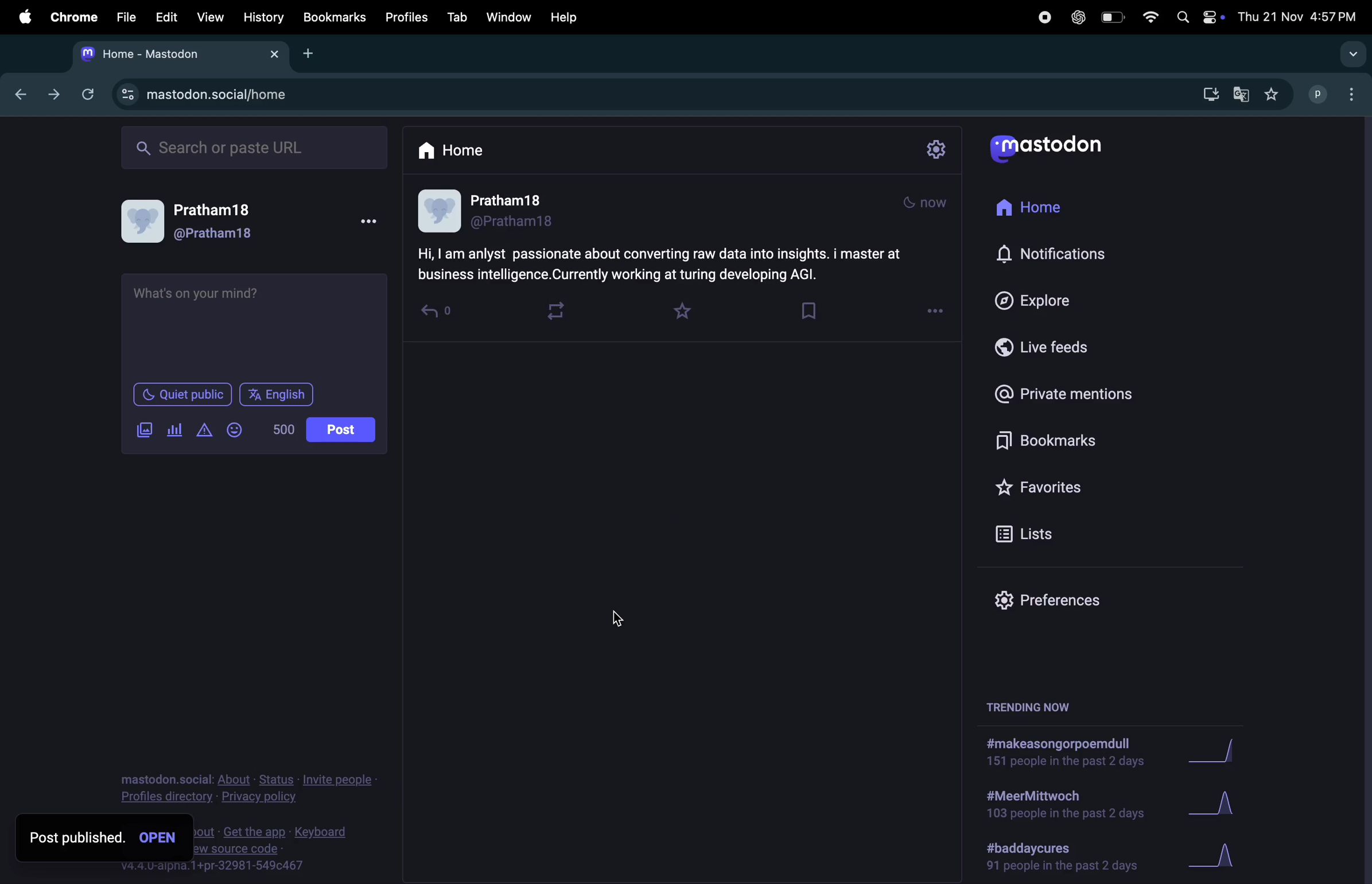  What do you see at coordinates (558, 312) in the screenshot?
I see `loop` at bounding box center [558, 312].